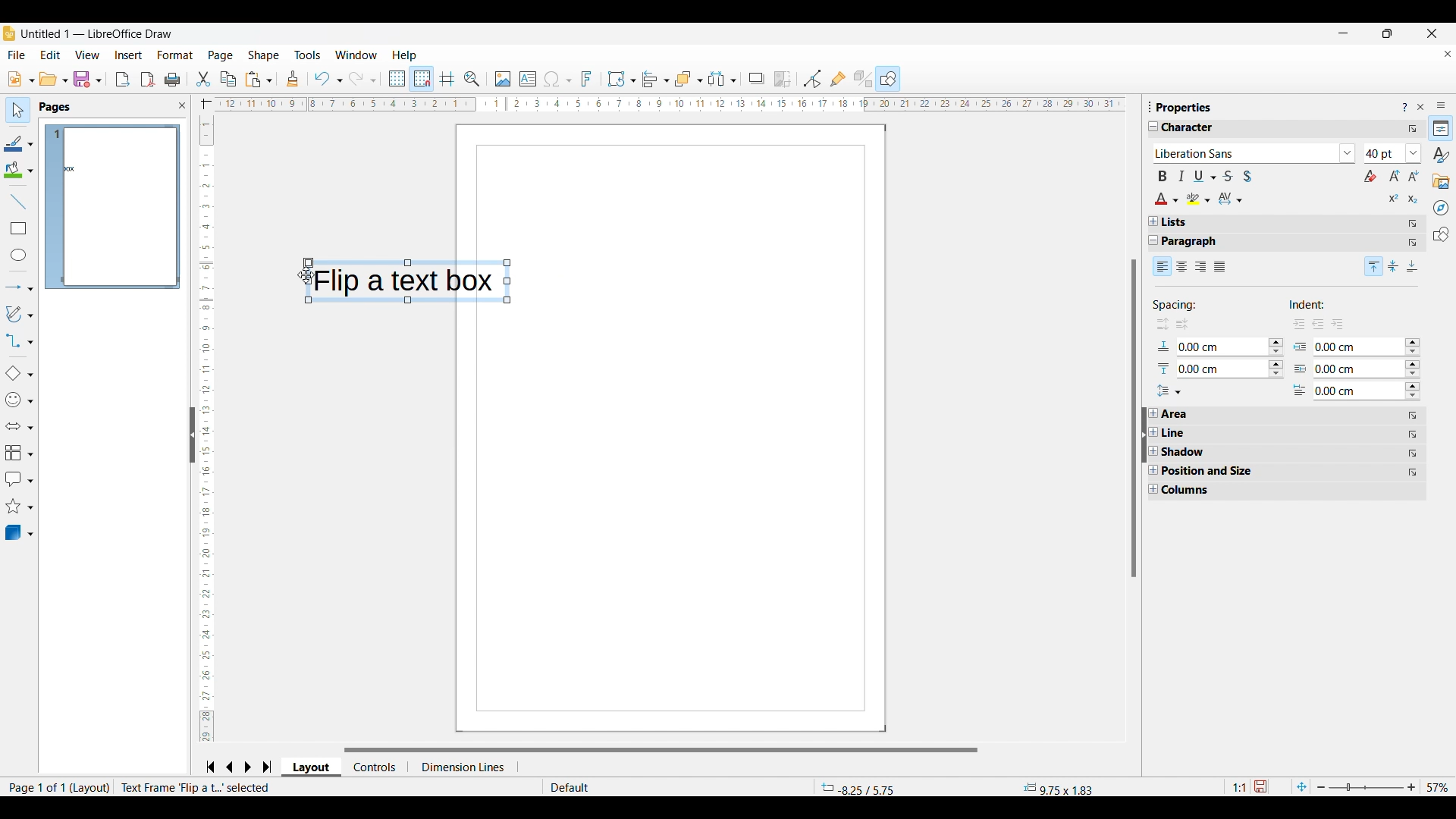 Image resolution: width=1456 pixels, height=819 pixels. What do you see at coordinates (1301, 369) in the screenshot?
I see `Indicates respective indent options` at bounding box center [1301, 369].